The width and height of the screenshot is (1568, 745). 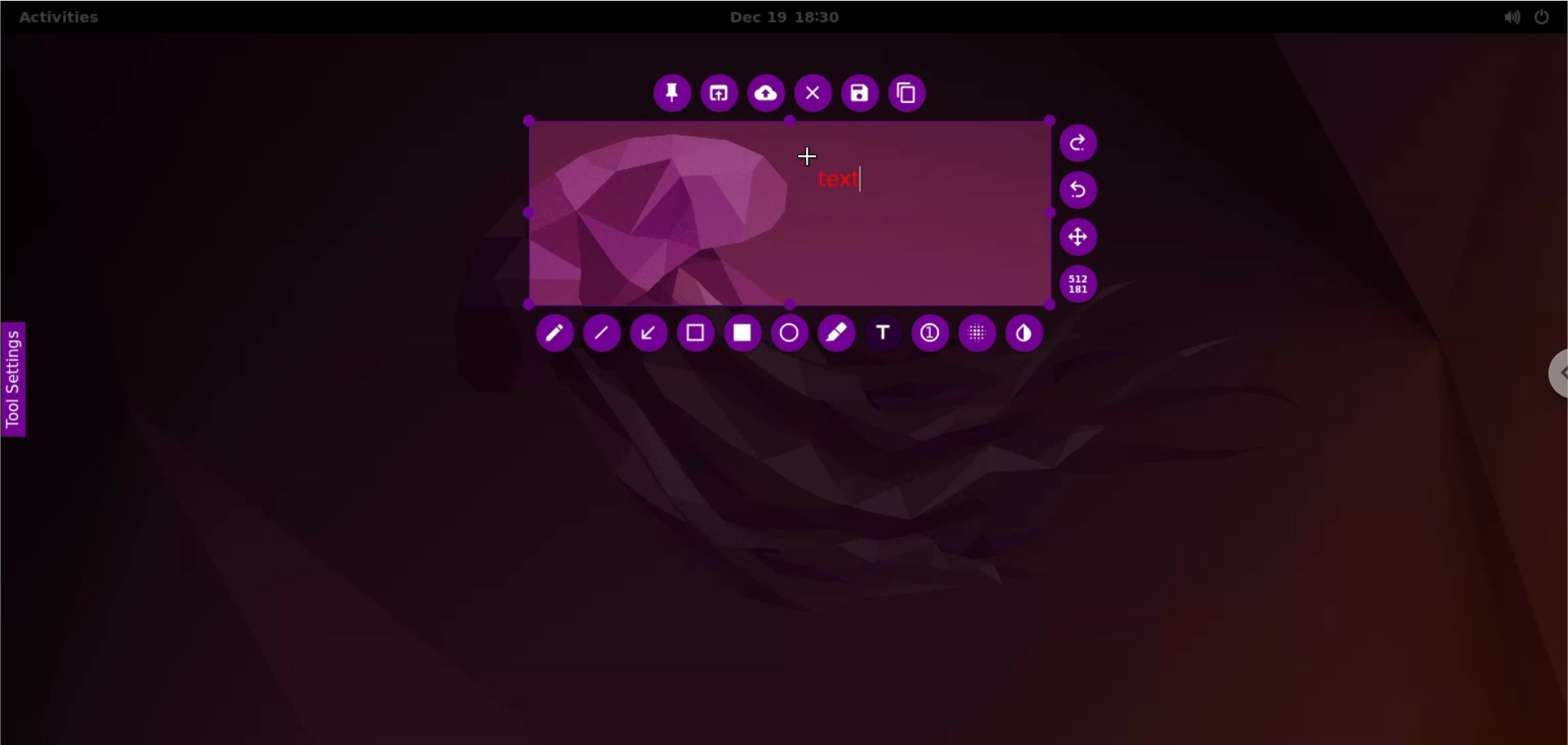 I want to click on move selection, so click(x=1077, y=239).